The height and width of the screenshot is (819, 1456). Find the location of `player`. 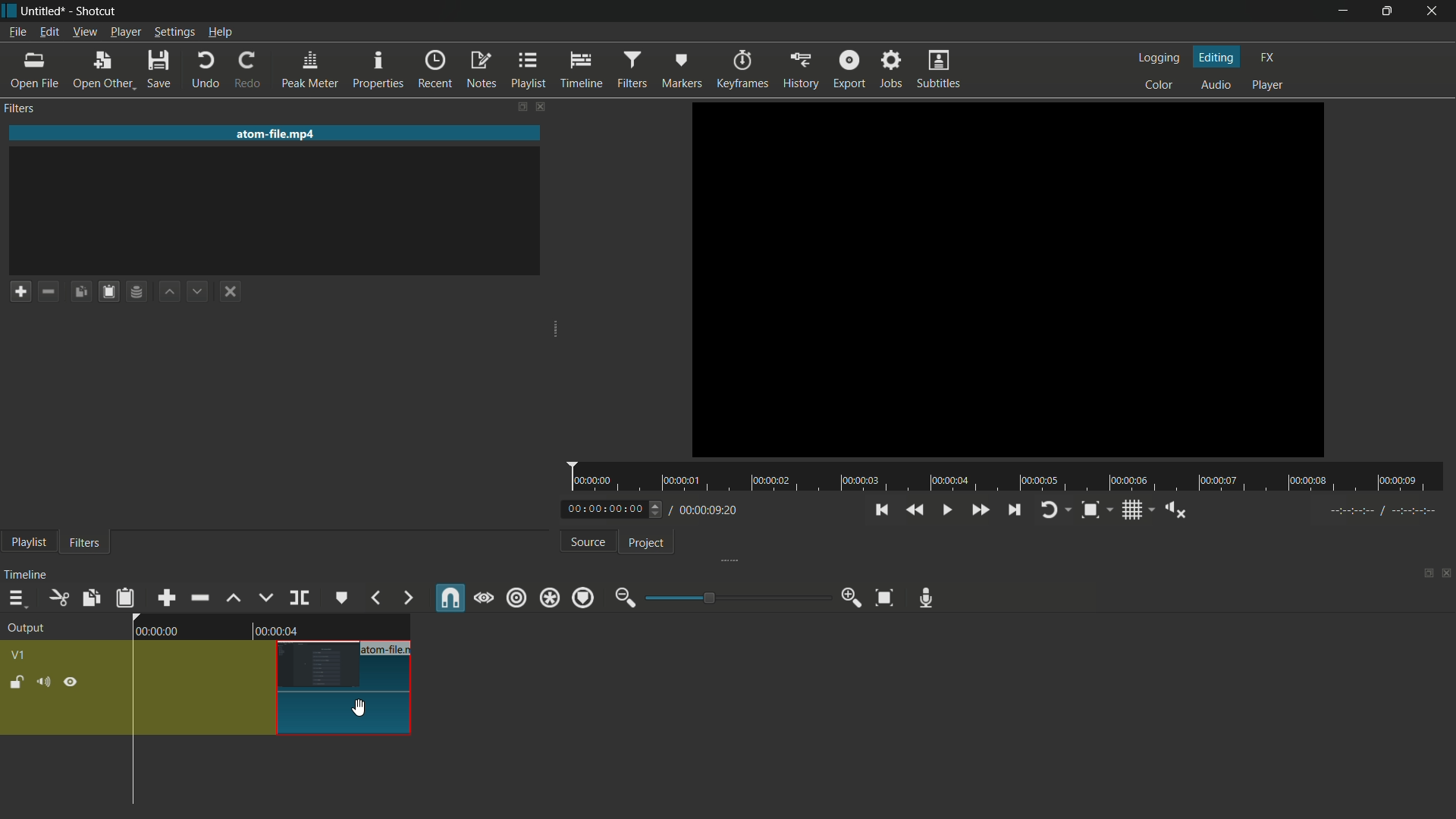

player is located at coordinates (1270, 86).